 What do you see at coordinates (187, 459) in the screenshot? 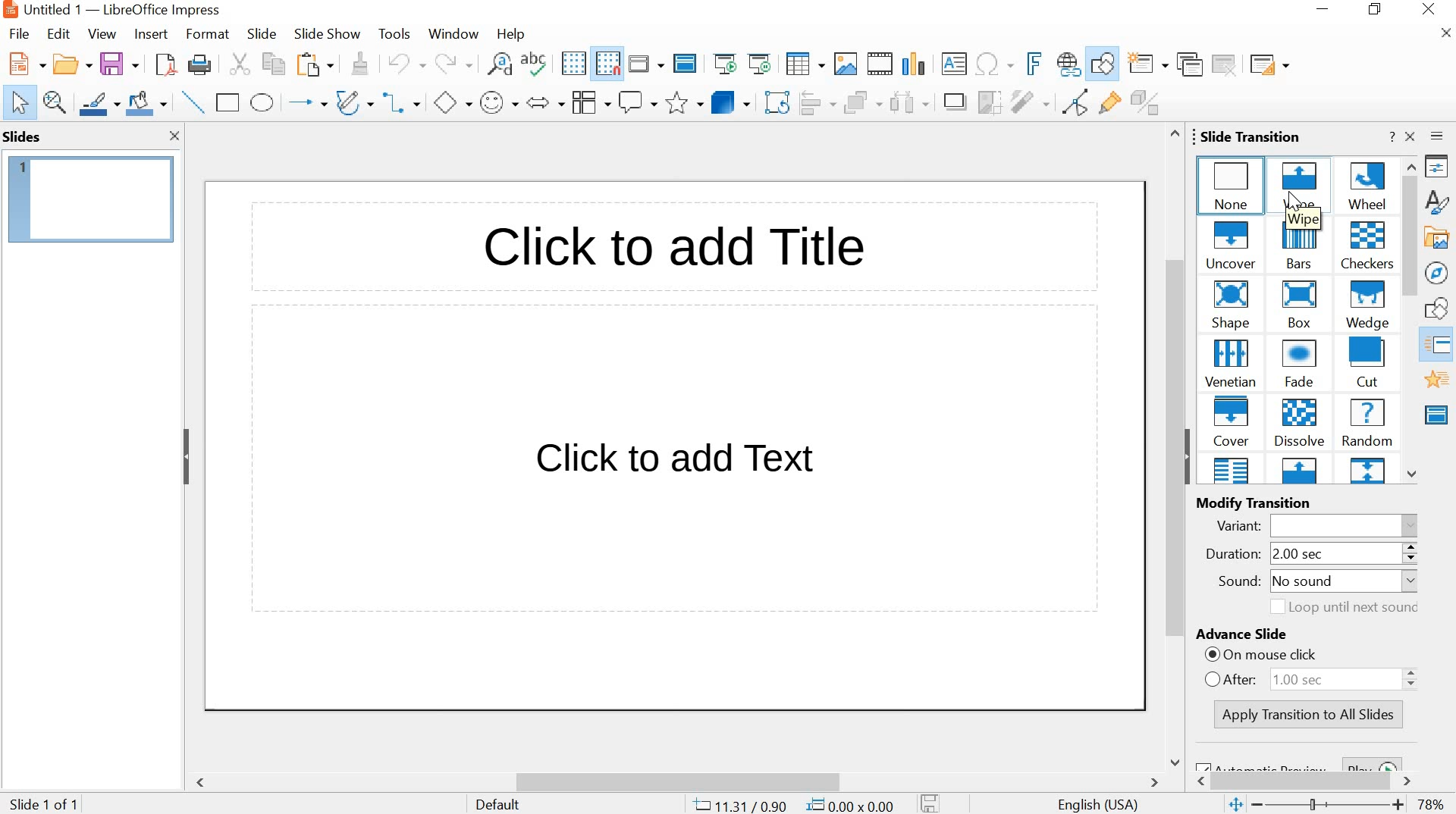
I see `HIDE` at bounding box center [187, 459].